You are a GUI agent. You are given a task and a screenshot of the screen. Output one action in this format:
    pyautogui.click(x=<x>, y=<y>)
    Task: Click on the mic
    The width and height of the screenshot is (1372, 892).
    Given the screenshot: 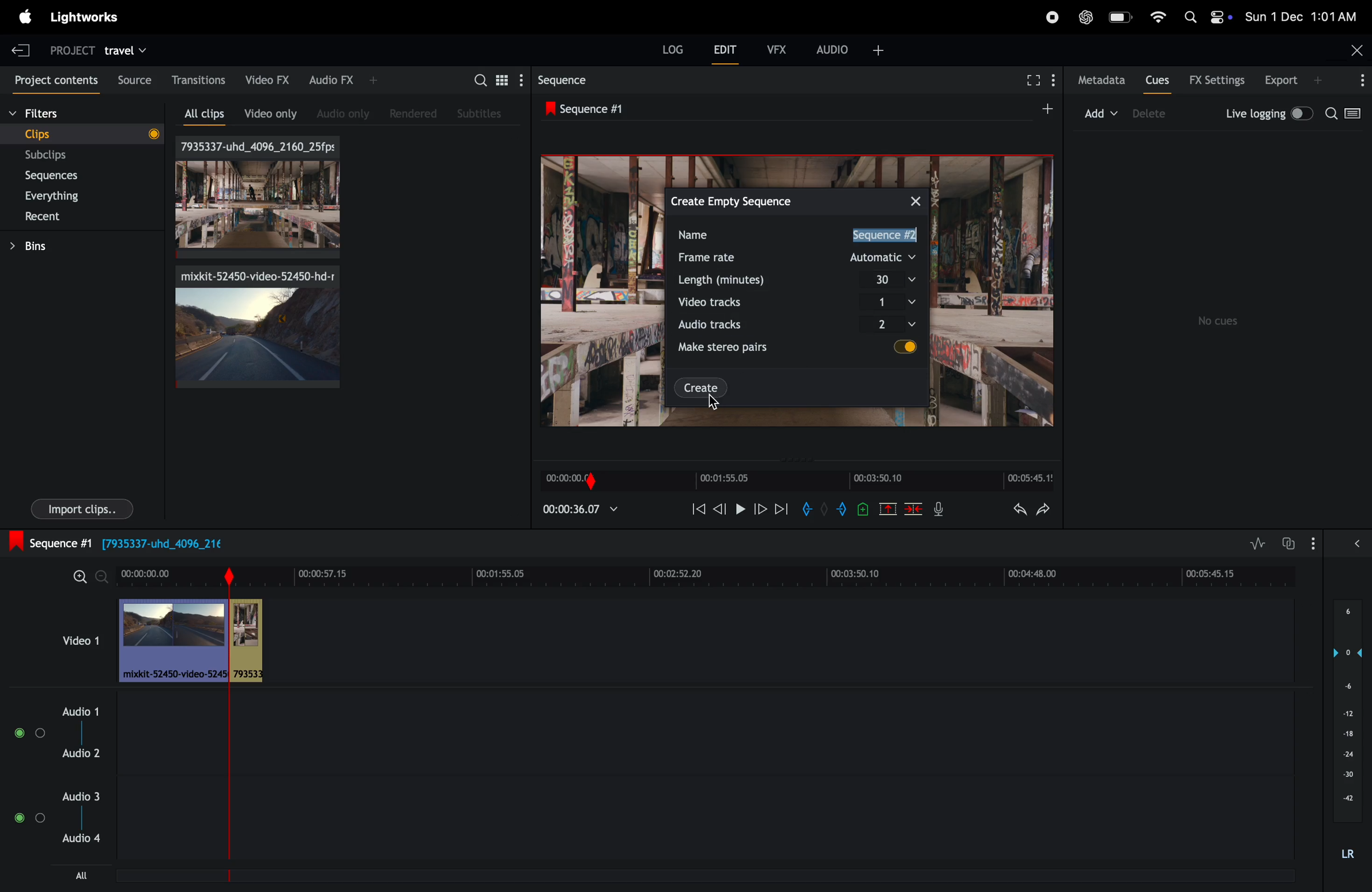 What is the action you would take?
    pyautogui.click(x=939, y=511)
    